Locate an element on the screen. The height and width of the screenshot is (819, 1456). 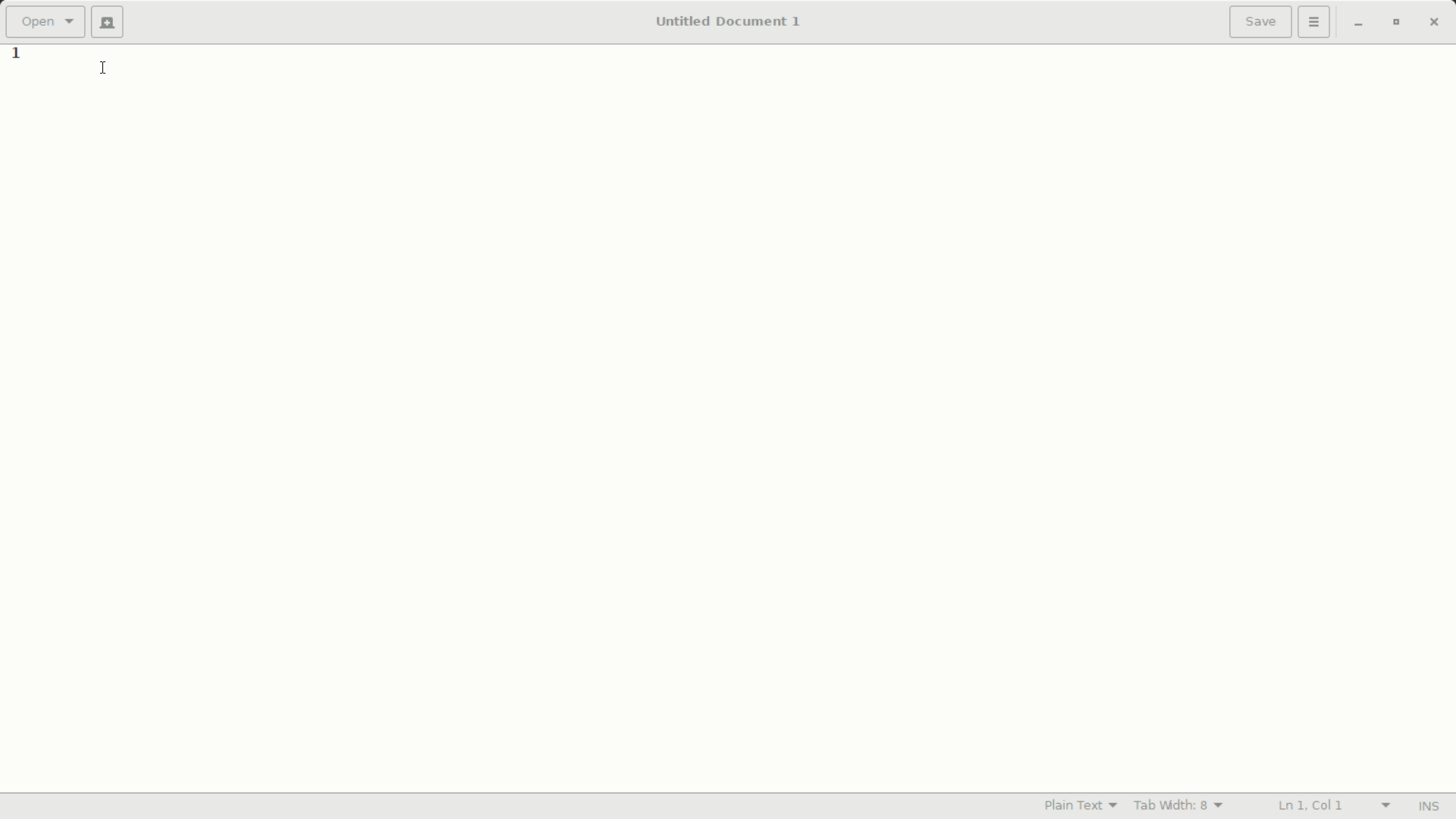
open is located at coordinates (47, 22).